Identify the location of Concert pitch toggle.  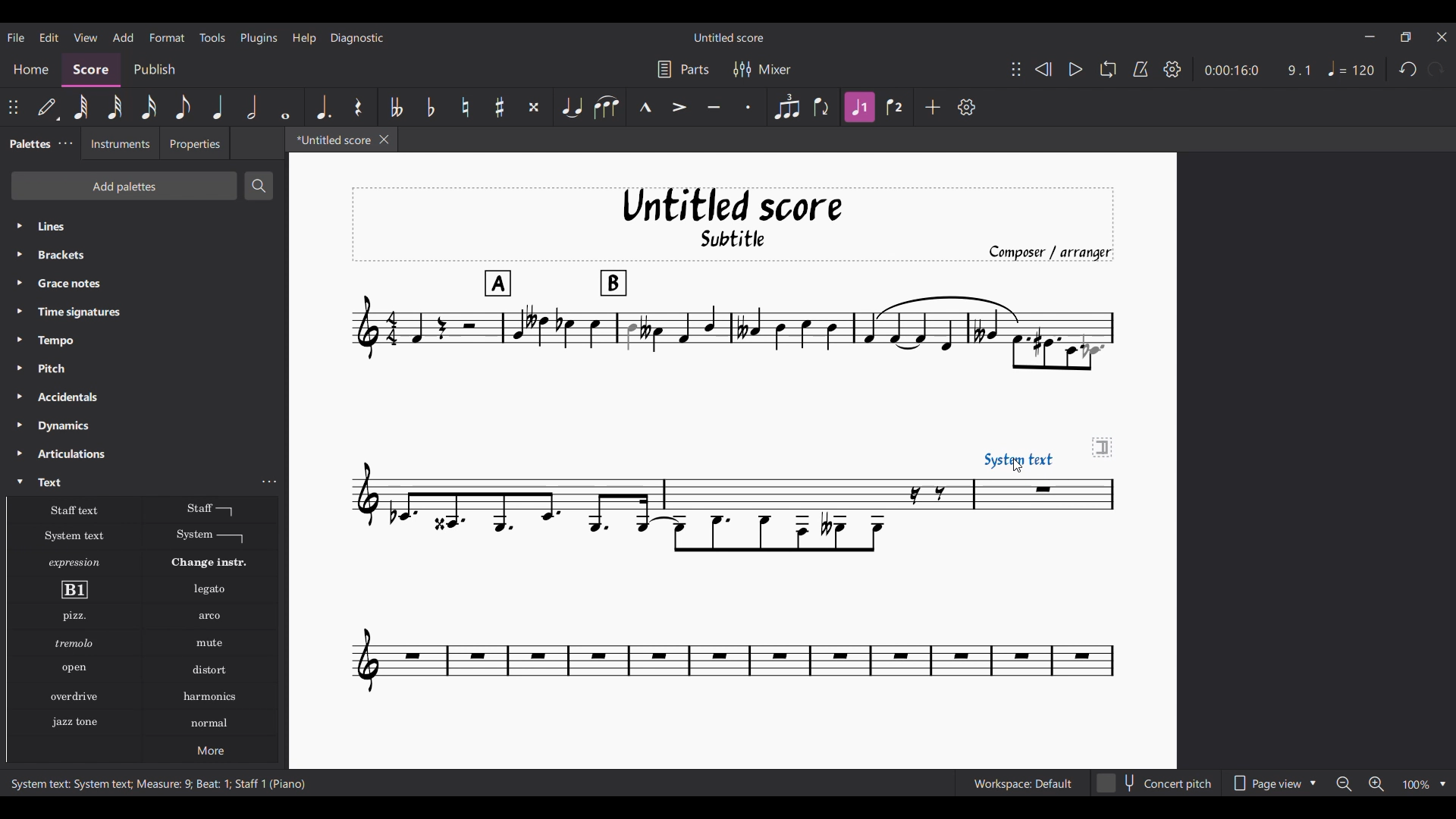
(1155, 783).